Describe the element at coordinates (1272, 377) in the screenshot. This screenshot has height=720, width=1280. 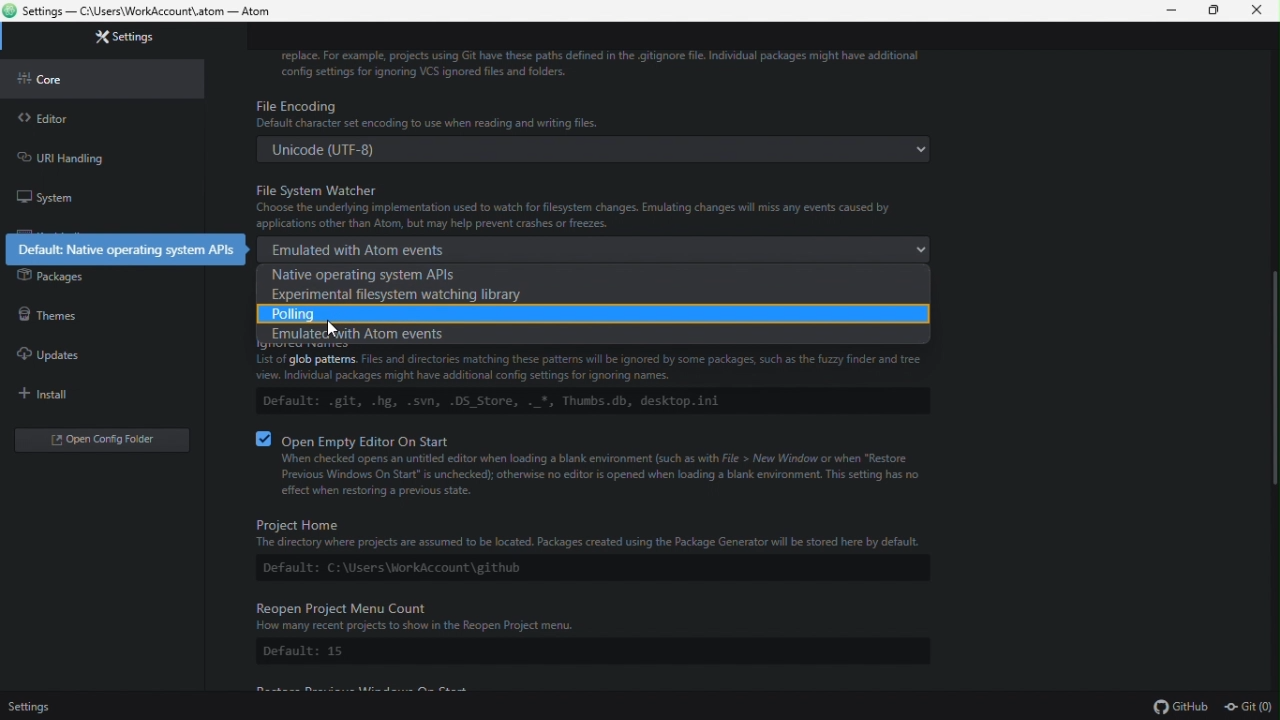
I see `Scroll bar` at that location.